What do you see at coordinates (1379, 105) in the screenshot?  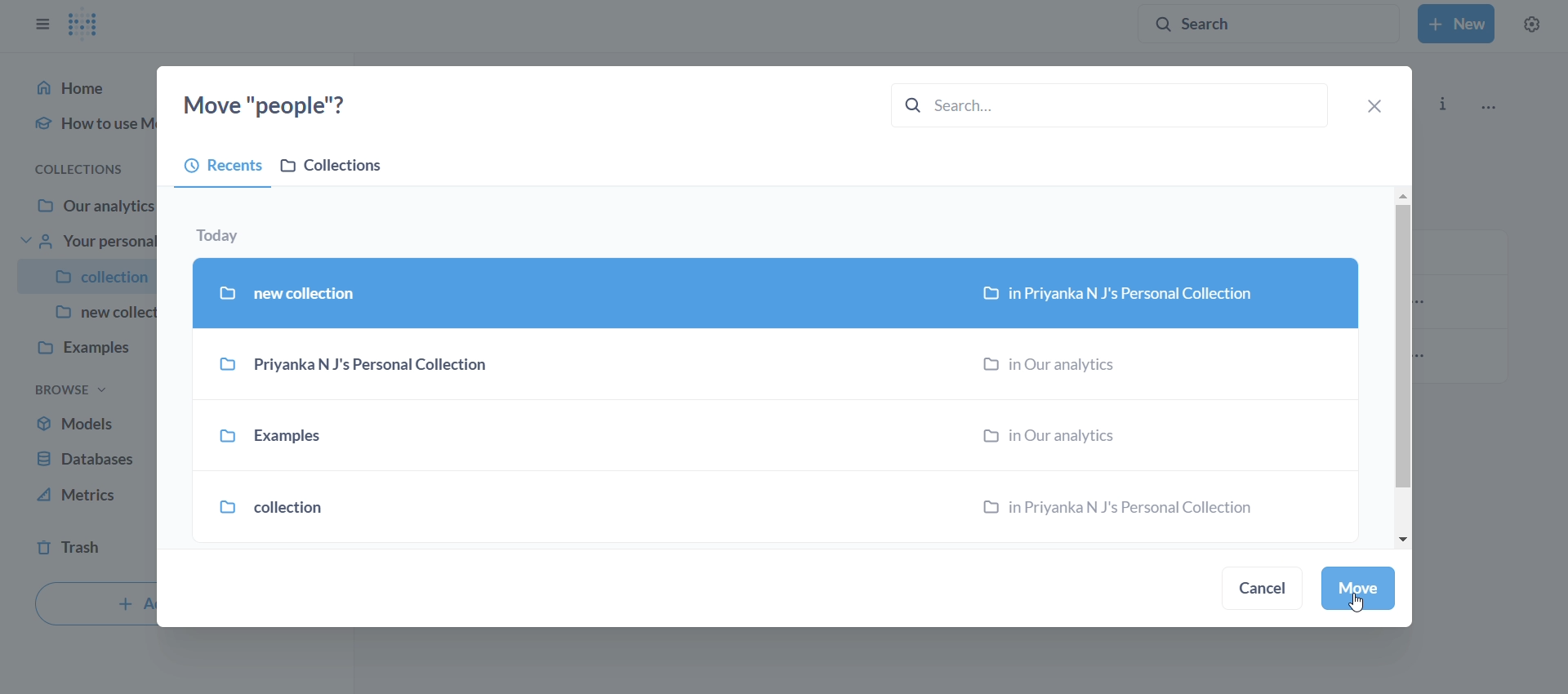 I see `close` at bounding box center [1379, 105].